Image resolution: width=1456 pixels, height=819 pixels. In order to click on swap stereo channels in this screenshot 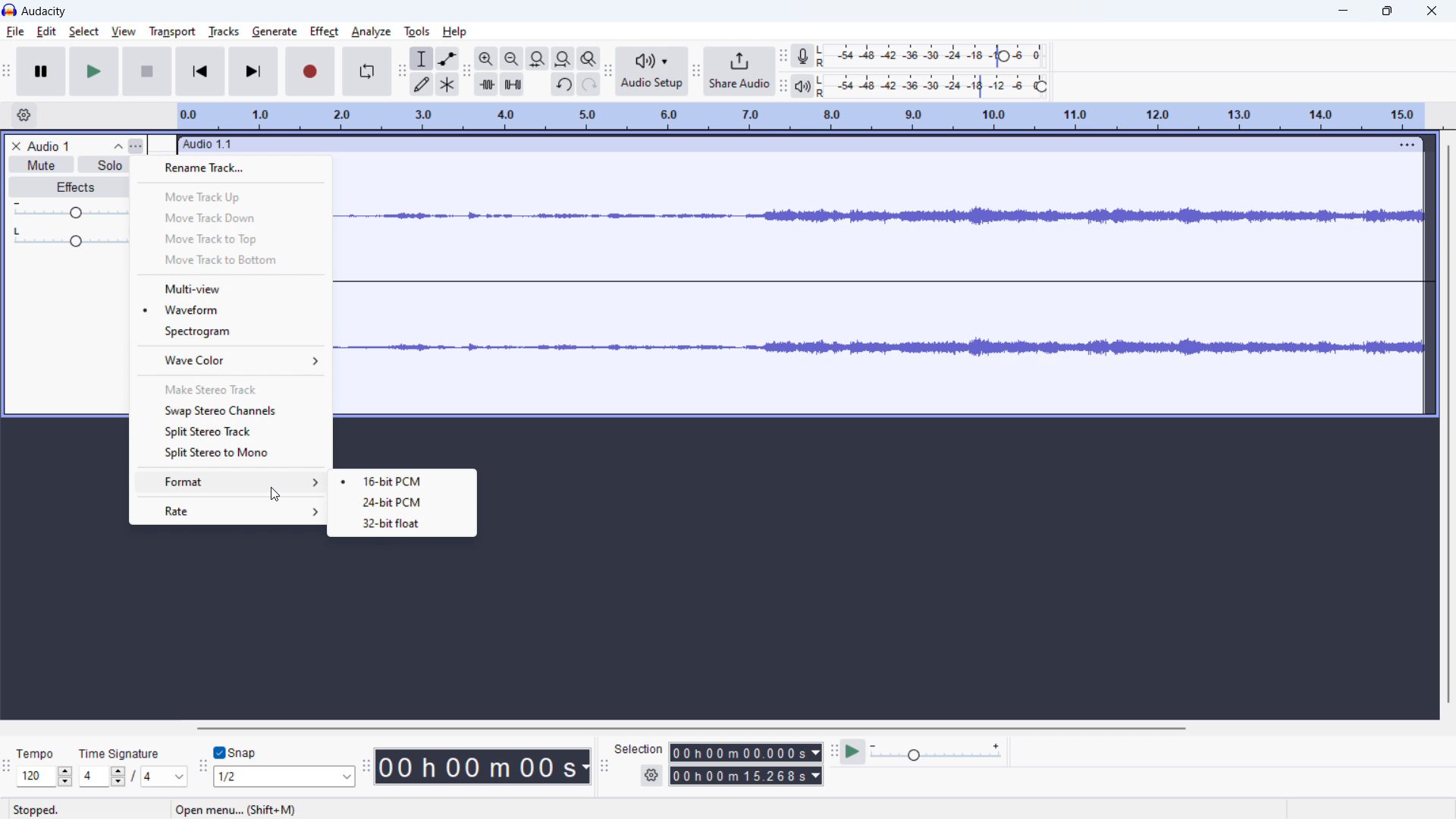, I will do `click(229, 410)`.